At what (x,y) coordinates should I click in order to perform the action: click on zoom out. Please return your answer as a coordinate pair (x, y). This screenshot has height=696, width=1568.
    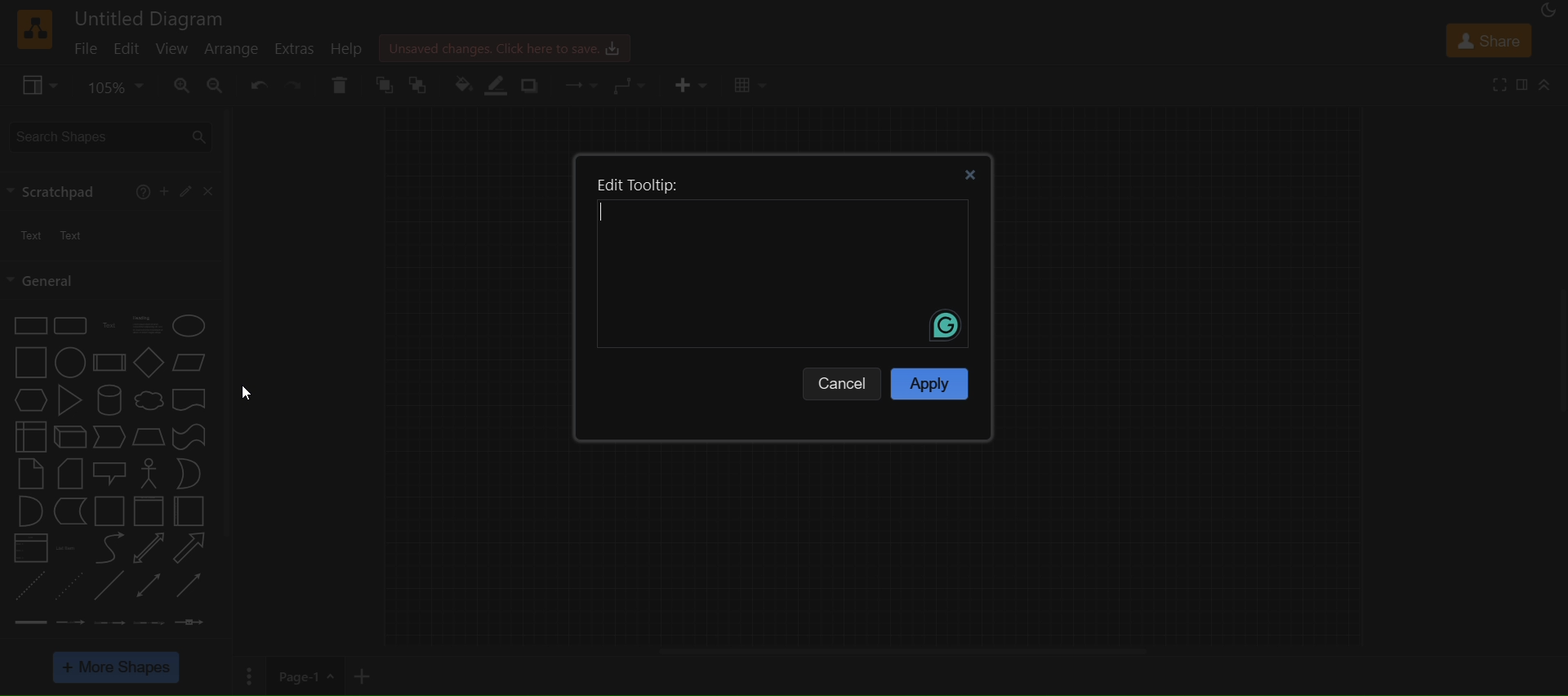
    Looking at the image, I should click on (216, 85).